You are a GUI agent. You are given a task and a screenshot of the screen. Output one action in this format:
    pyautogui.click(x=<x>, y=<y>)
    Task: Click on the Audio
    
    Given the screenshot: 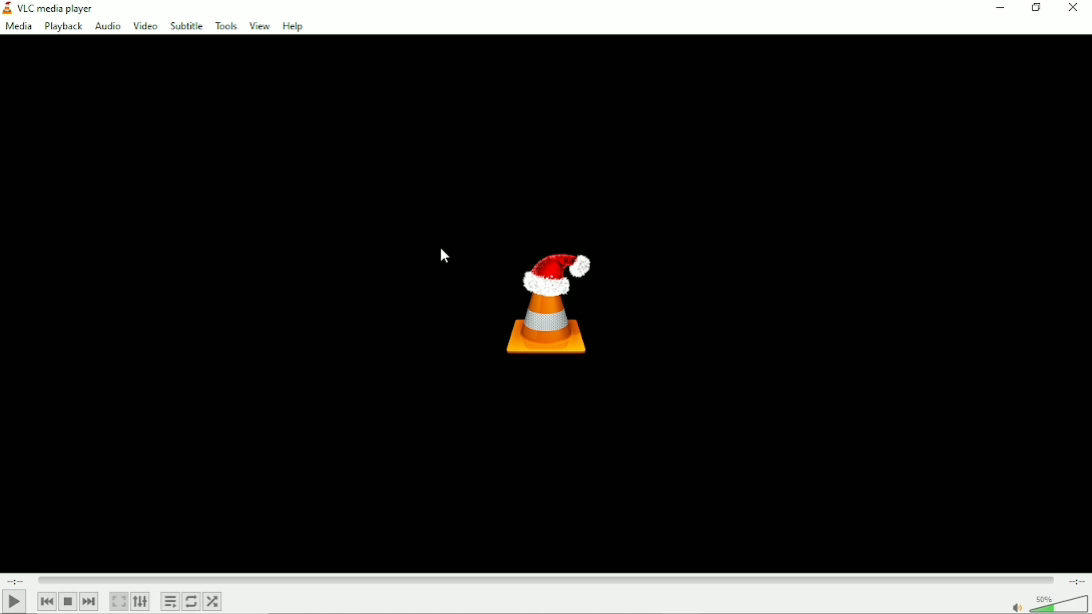 What is the action you would take?
    pyautogui.click(x=107, y=26)
    